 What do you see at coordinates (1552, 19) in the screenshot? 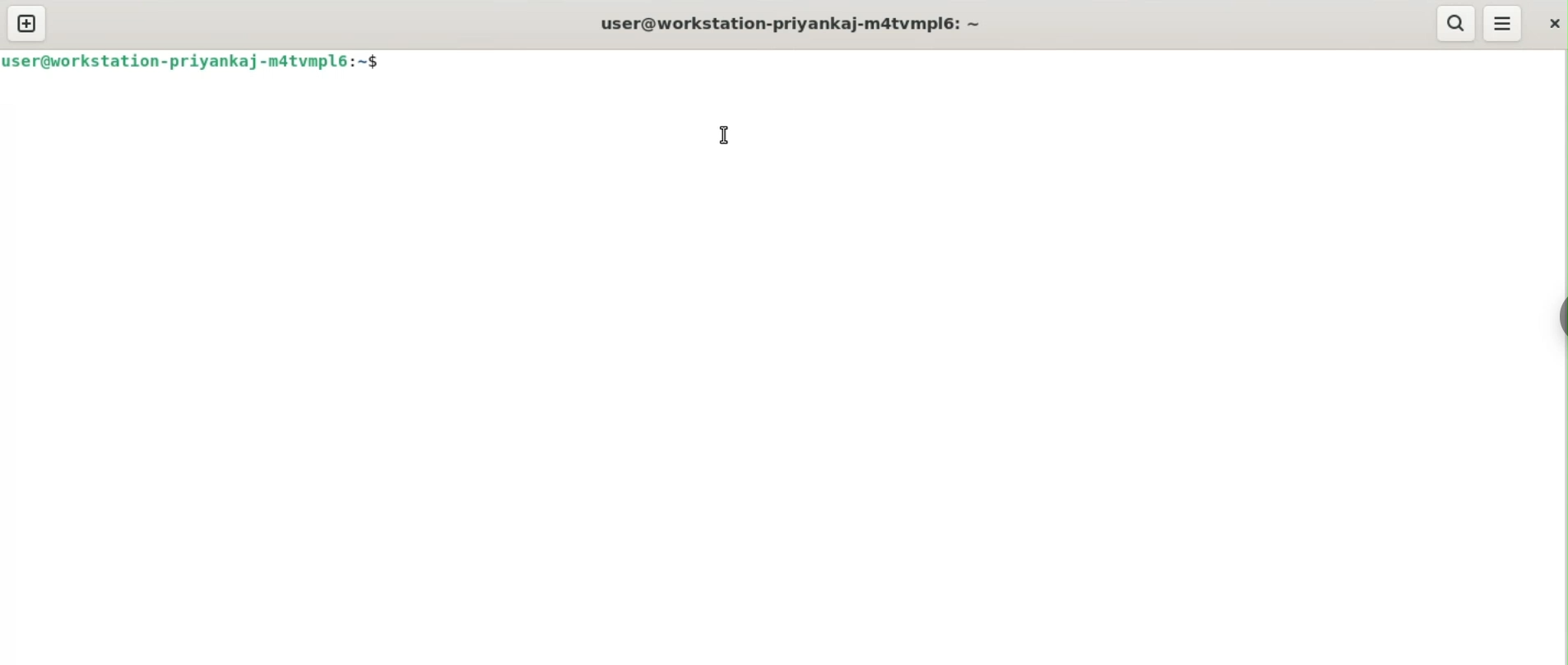
I see `close` at bounding box center [1552, 19].